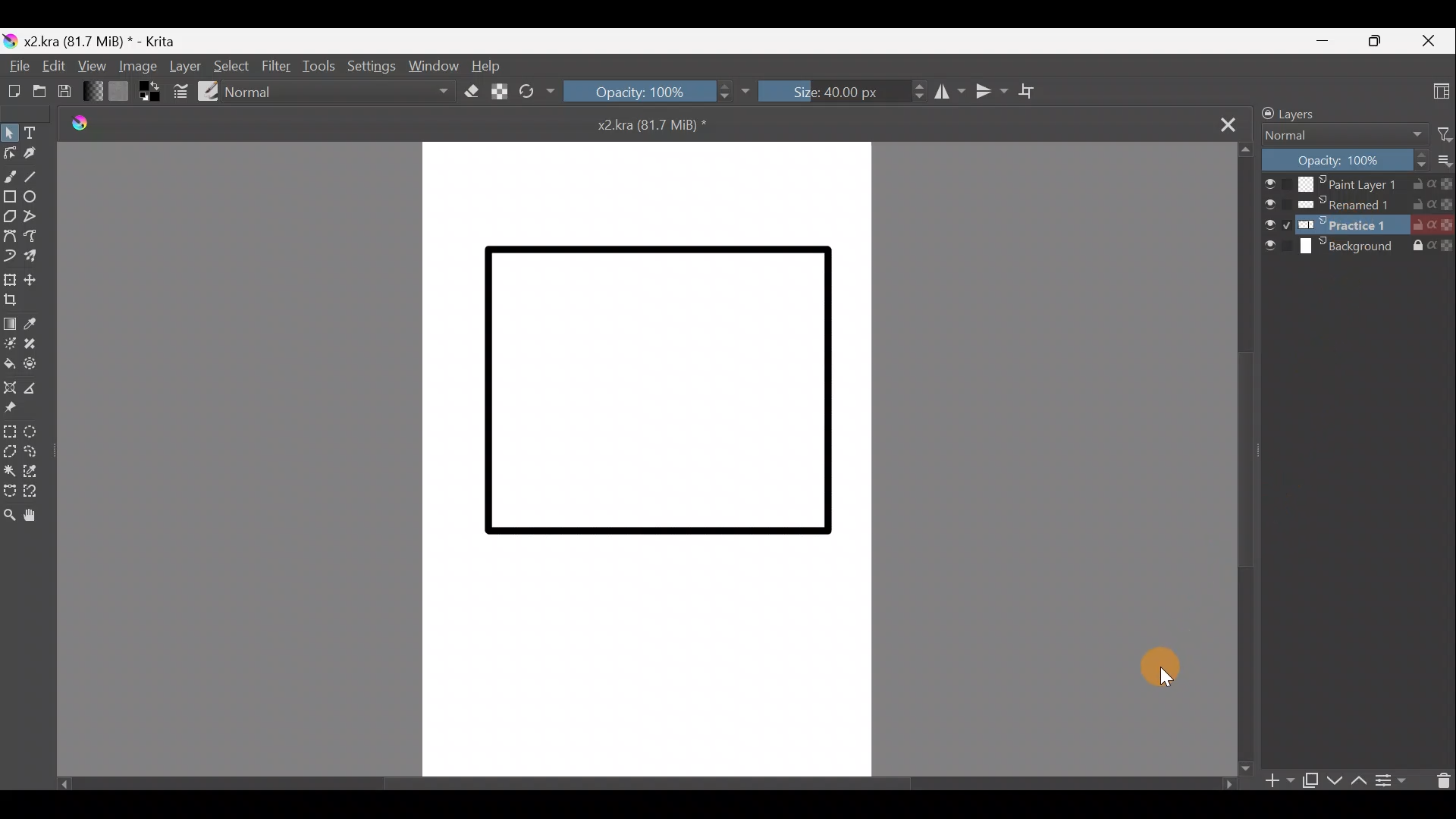 Image resolution: width=1456 pixels, height=819 pixels. Describe the element at coordinates (1358, 206) in the screenshot. I see `Renamed1` at that location.